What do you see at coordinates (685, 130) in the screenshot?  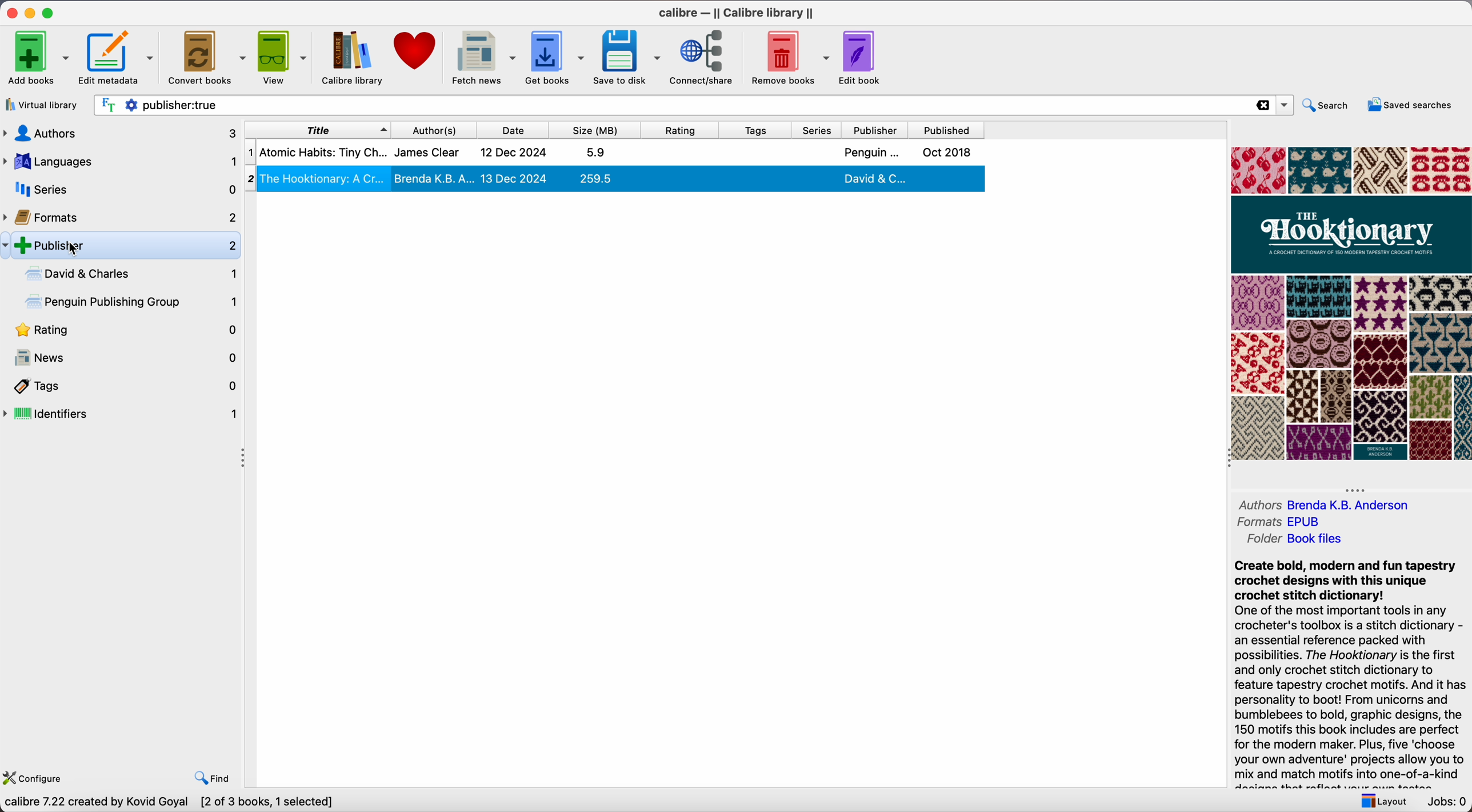 I see `rating` at bounding box center [685, 130].